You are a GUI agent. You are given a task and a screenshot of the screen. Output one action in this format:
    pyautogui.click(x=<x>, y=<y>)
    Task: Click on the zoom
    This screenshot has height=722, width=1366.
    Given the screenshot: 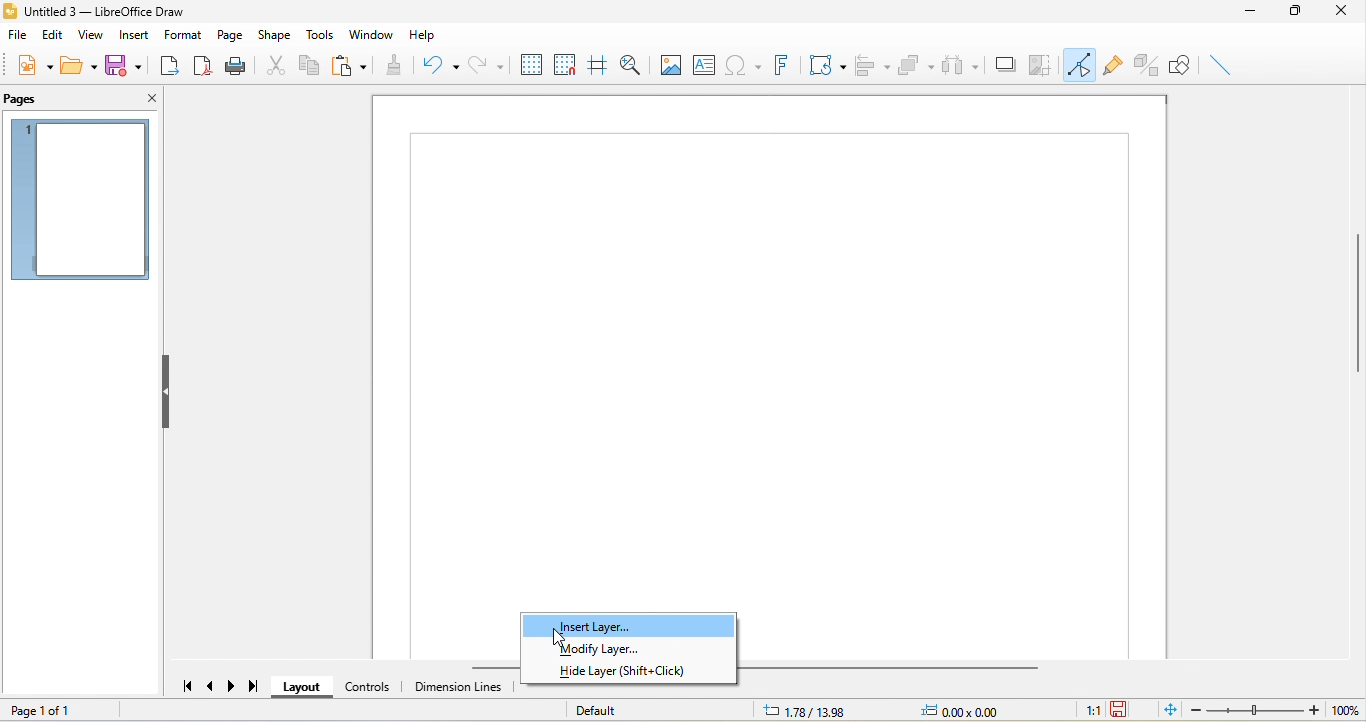 What is the action you would take?
    pyautogui.click(x=1276, y=711)
    